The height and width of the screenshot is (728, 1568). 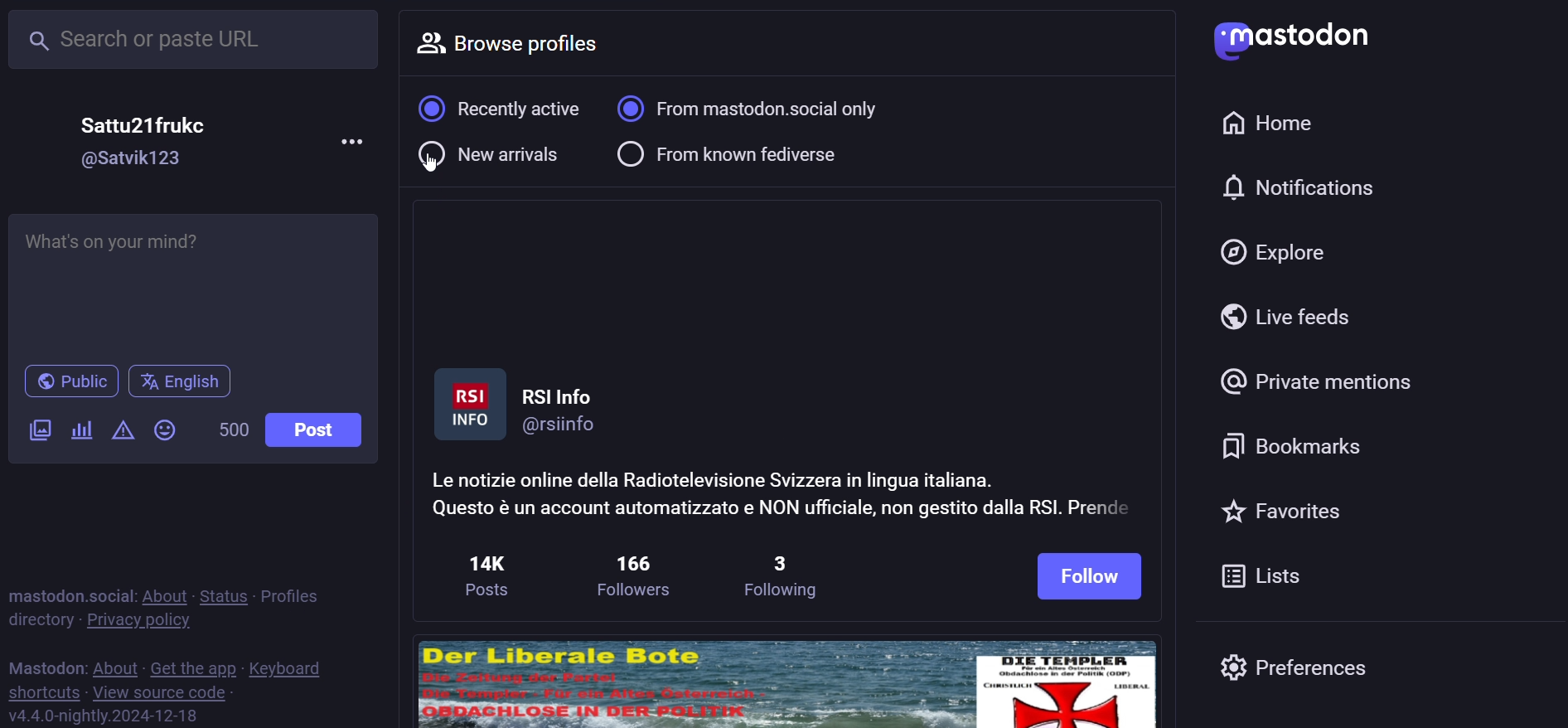 What do you see at coordinates (1270, 580) in the screenshot?
I see `lists` at bounding box center [1270, 580].